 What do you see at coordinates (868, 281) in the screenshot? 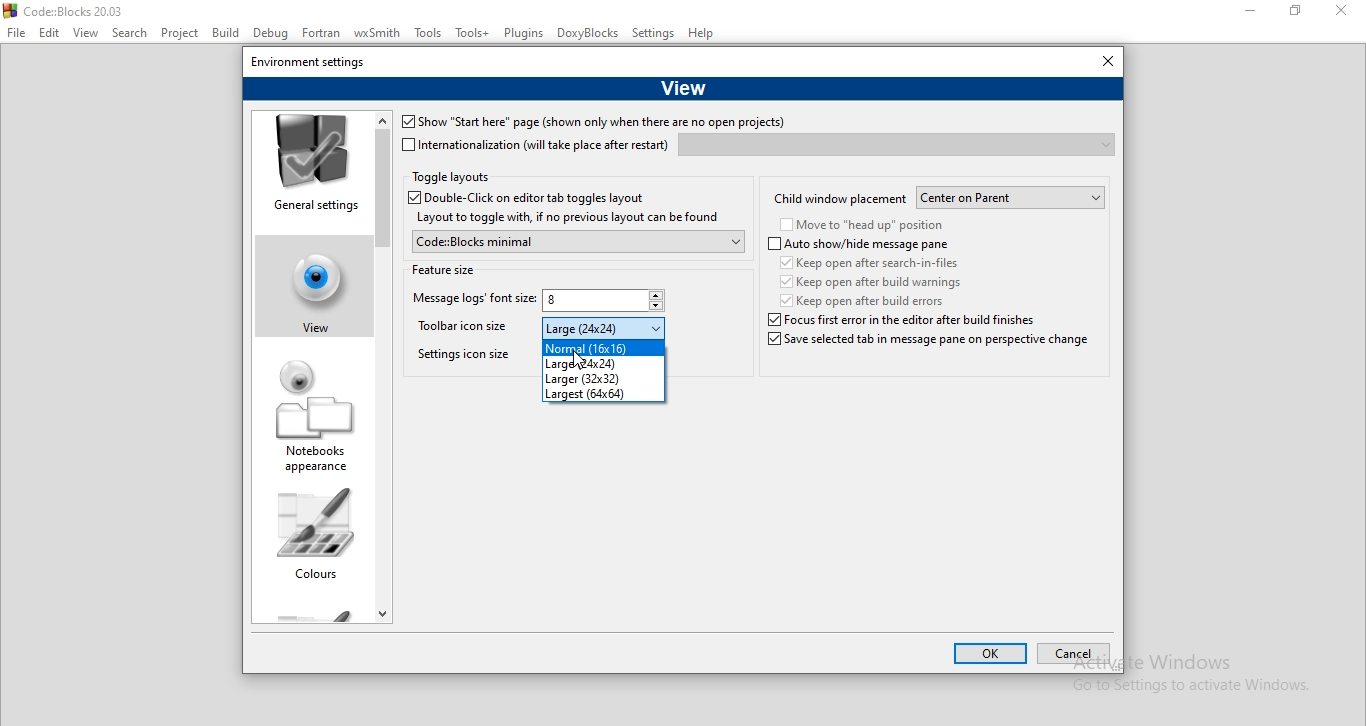
I see ` Keep open after build warnings` at bounding box center [868, 281].